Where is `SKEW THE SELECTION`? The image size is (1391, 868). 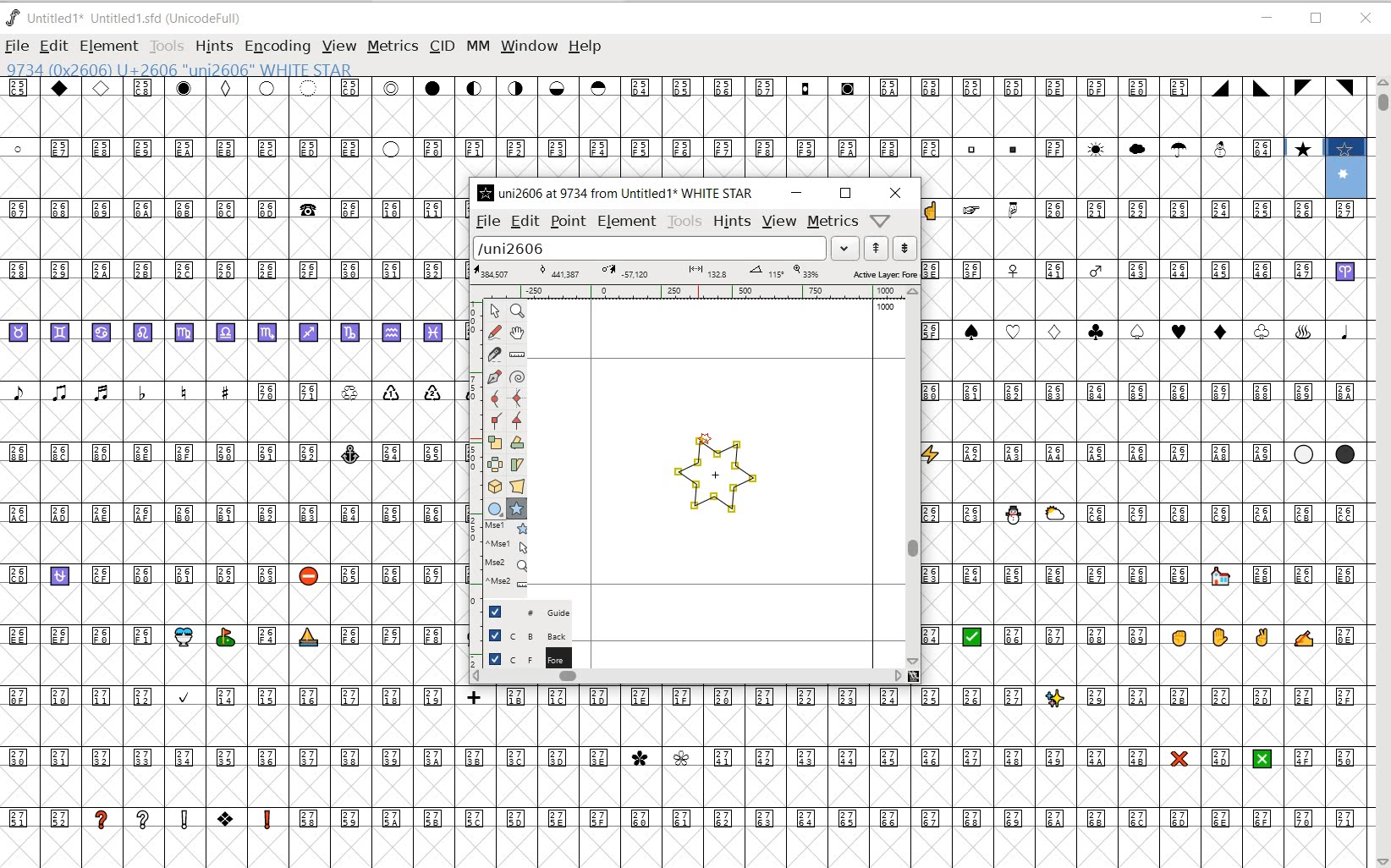
SKEW THE SELECTION is located at coordinates (519, 465).